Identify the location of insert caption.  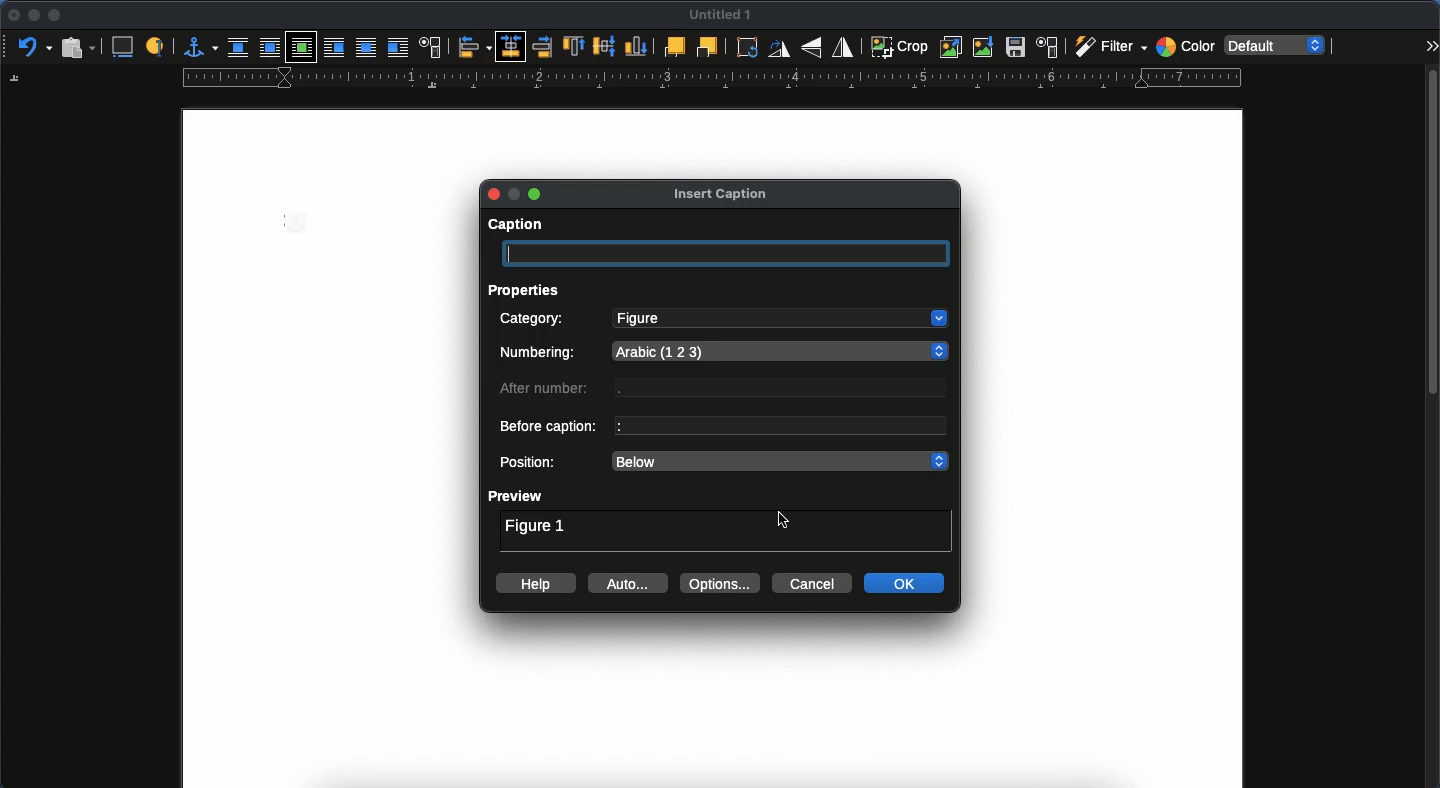
(720, 193).